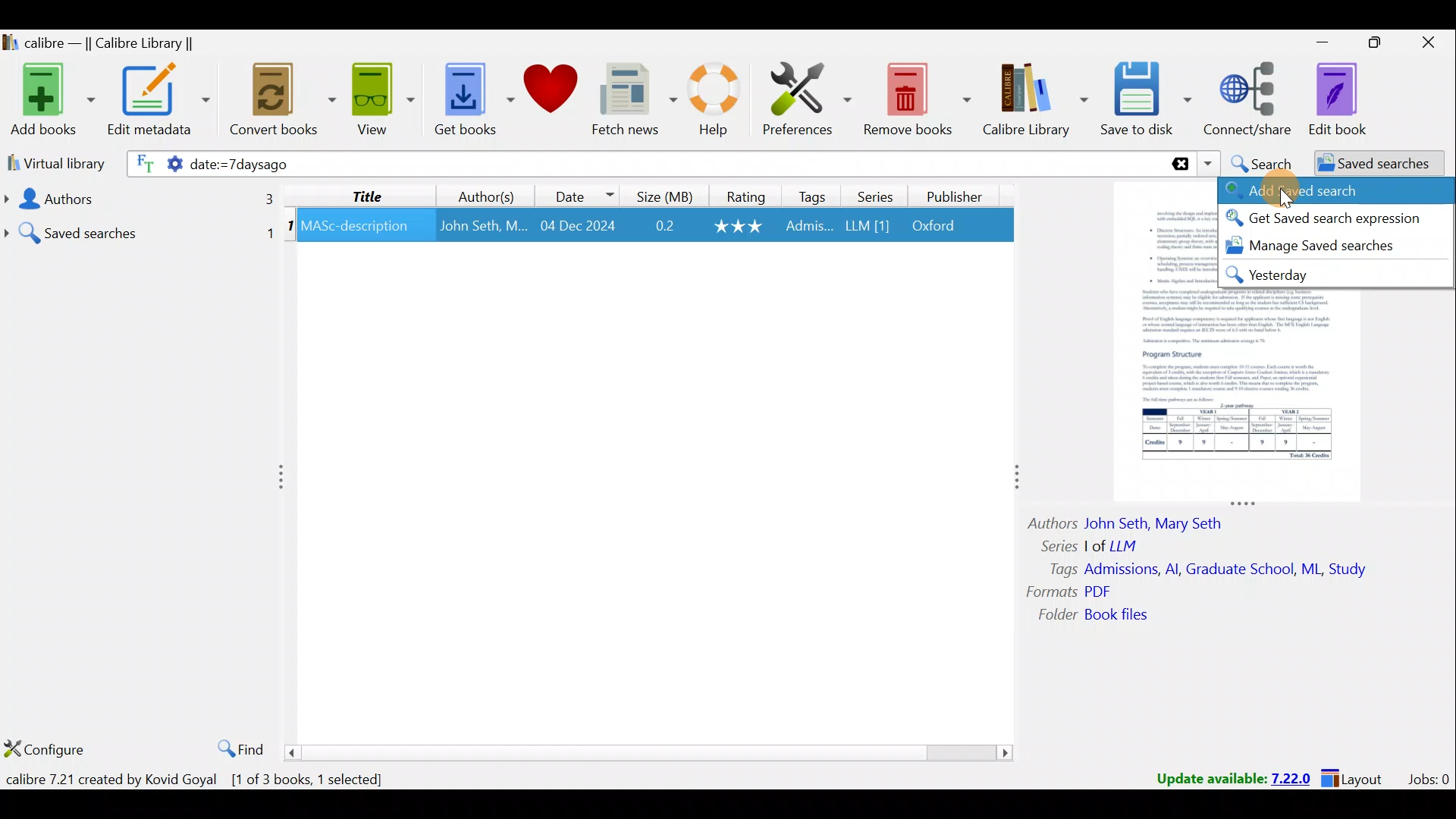 This screenshot has height=819, width=1456. I want to click on Search, so click(1260, 162).